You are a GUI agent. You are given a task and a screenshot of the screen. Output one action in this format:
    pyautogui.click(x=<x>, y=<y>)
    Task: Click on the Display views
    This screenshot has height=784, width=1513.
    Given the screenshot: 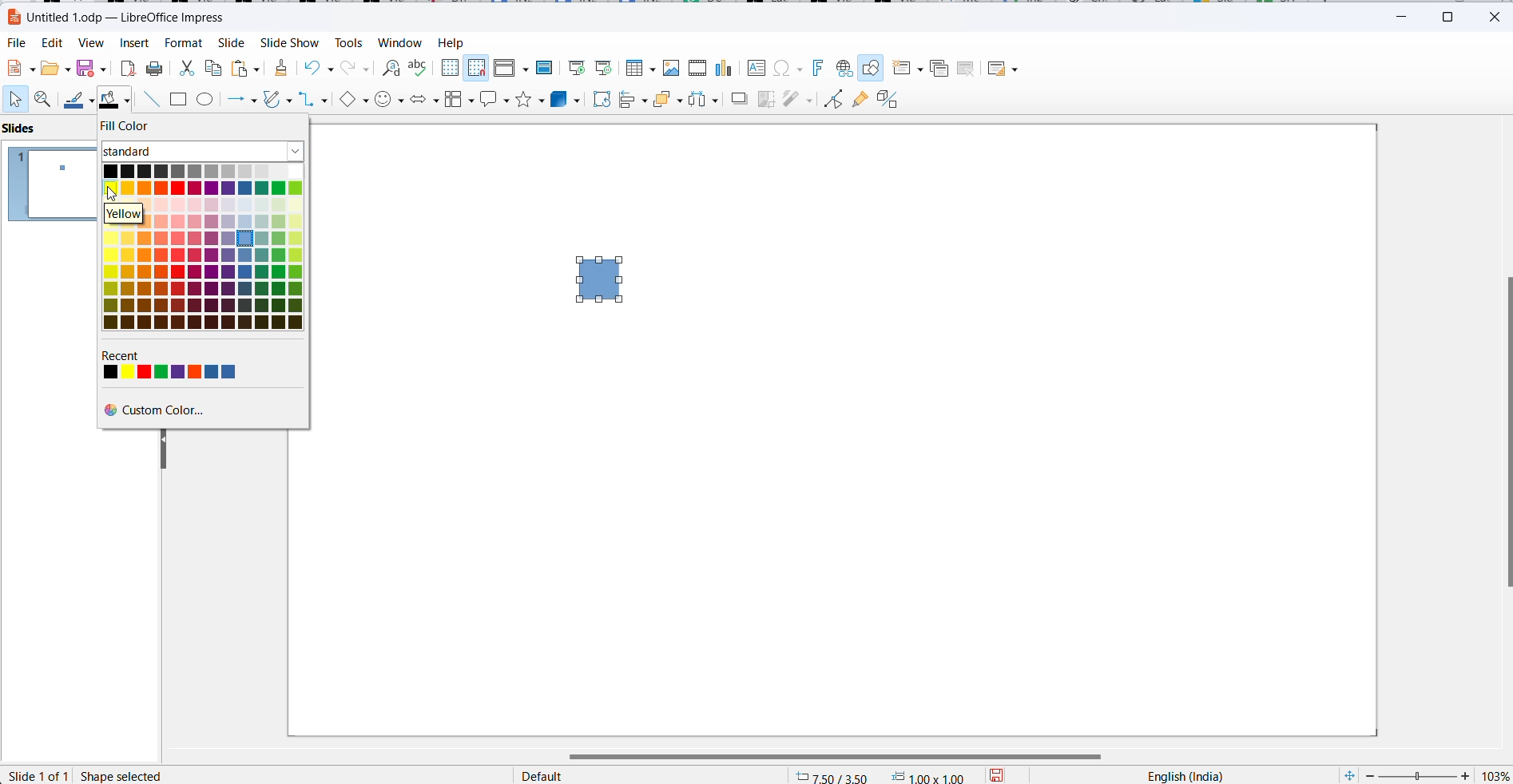 What is the action you would take?
    pyautogui.click(x=510, y=66)
    